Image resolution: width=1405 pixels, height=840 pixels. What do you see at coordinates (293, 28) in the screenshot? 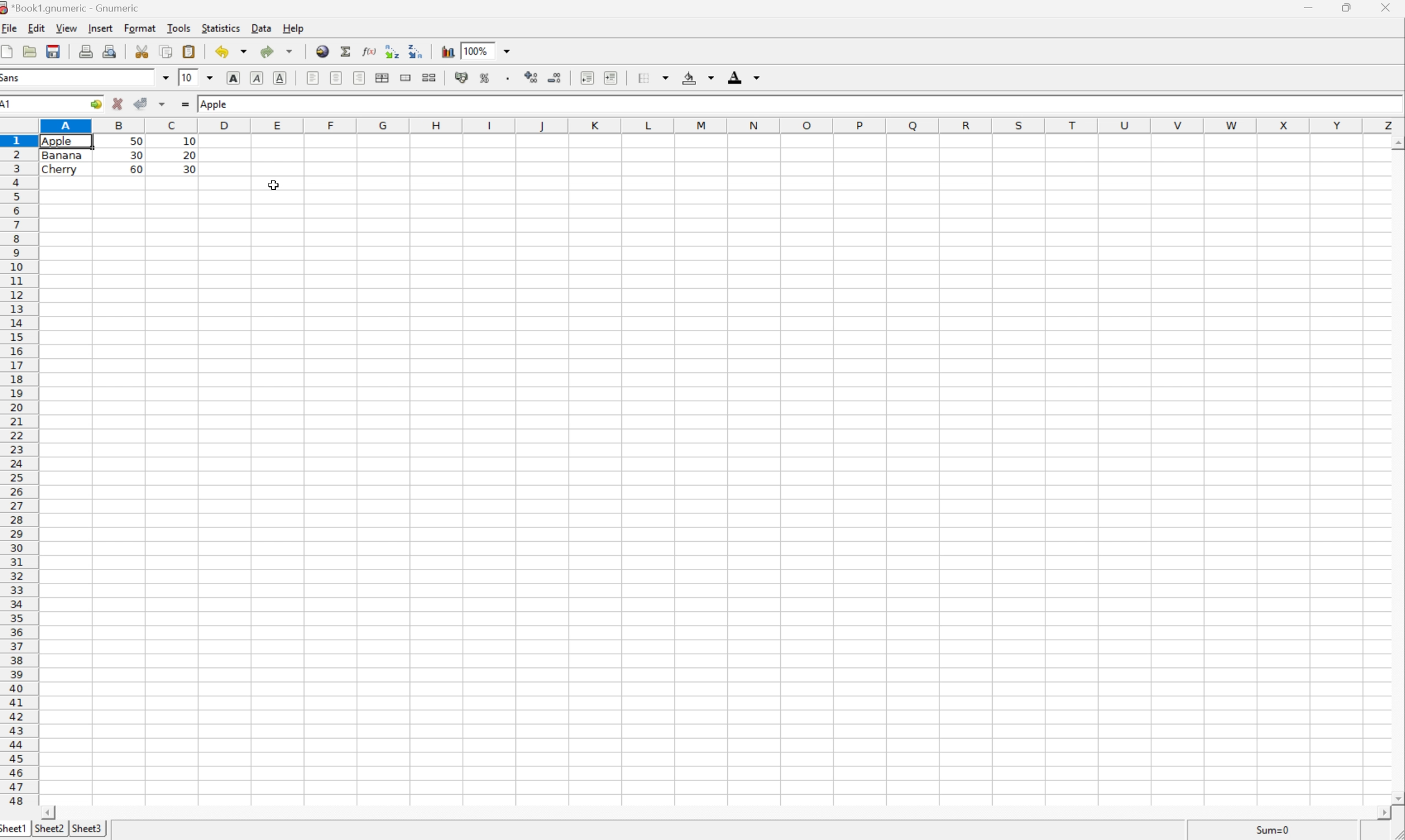
I see `help` at bounding box center [293, 28].